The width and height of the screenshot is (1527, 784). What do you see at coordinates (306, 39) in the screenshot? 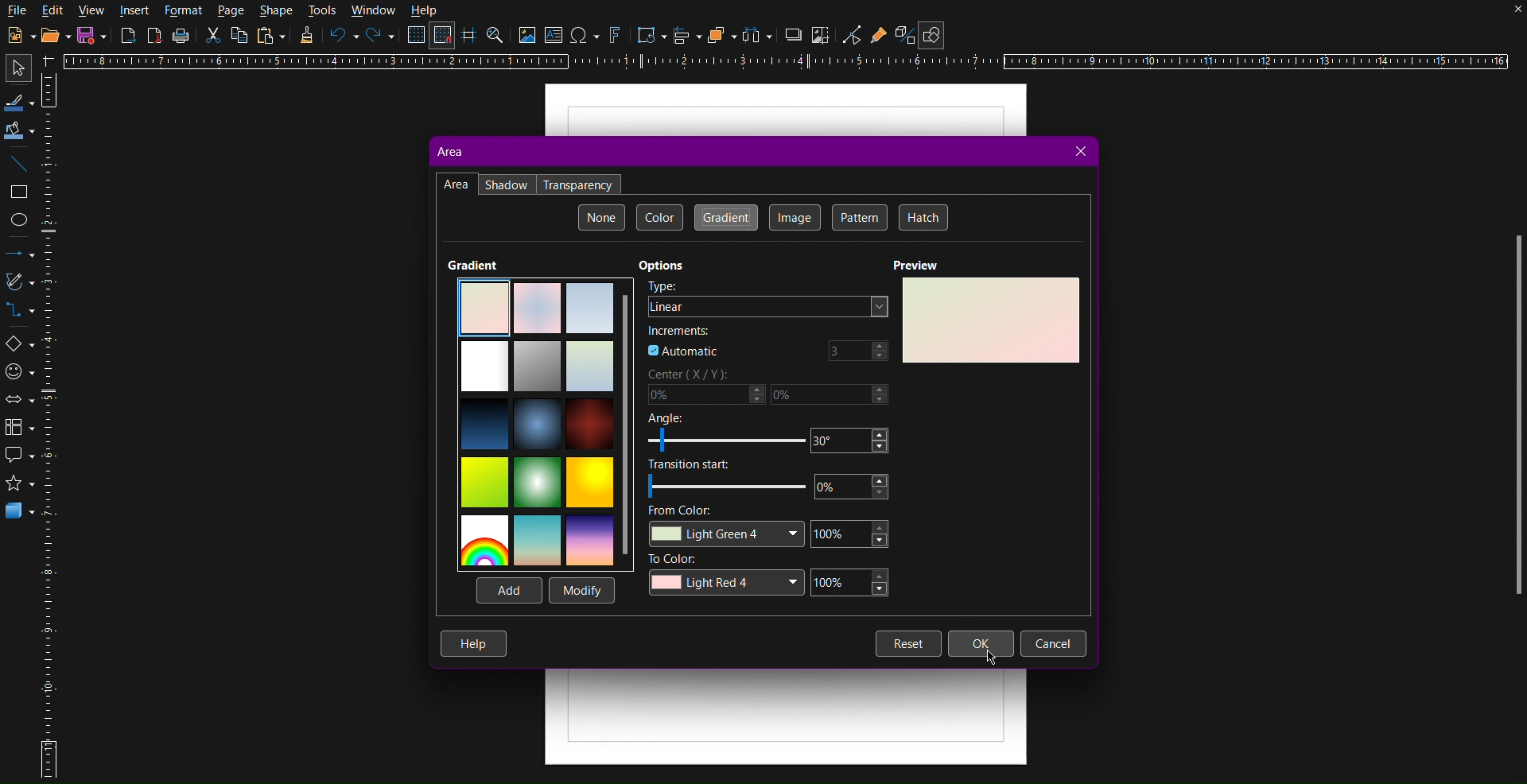
I see `Formatting` at bounding box center [306, 39].